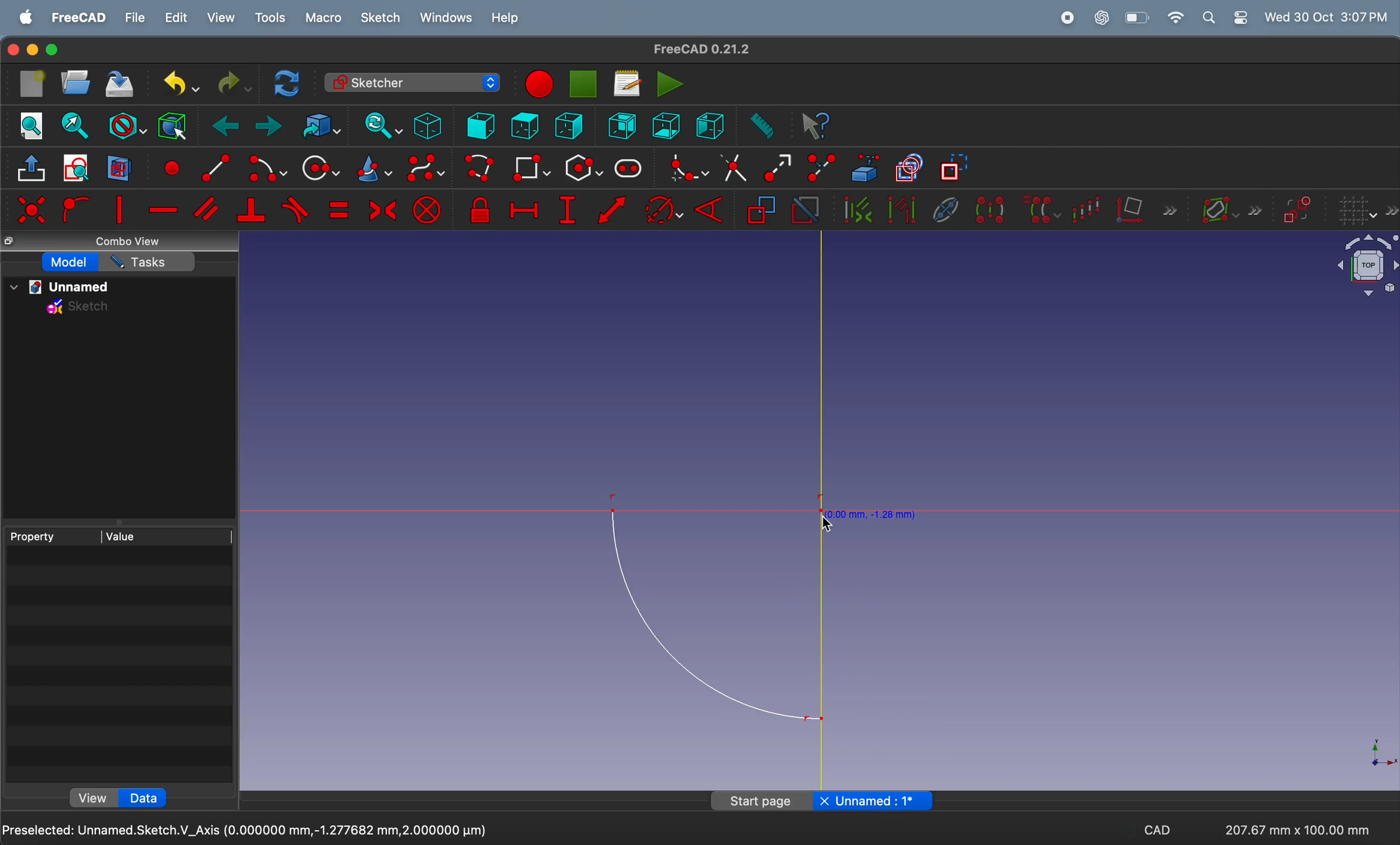 Image resolution: width=1400 pixels, height=845 pixels. Describe the element at coordinates (209, 209) in the screenshot. I see `constrain parallel` at that location.